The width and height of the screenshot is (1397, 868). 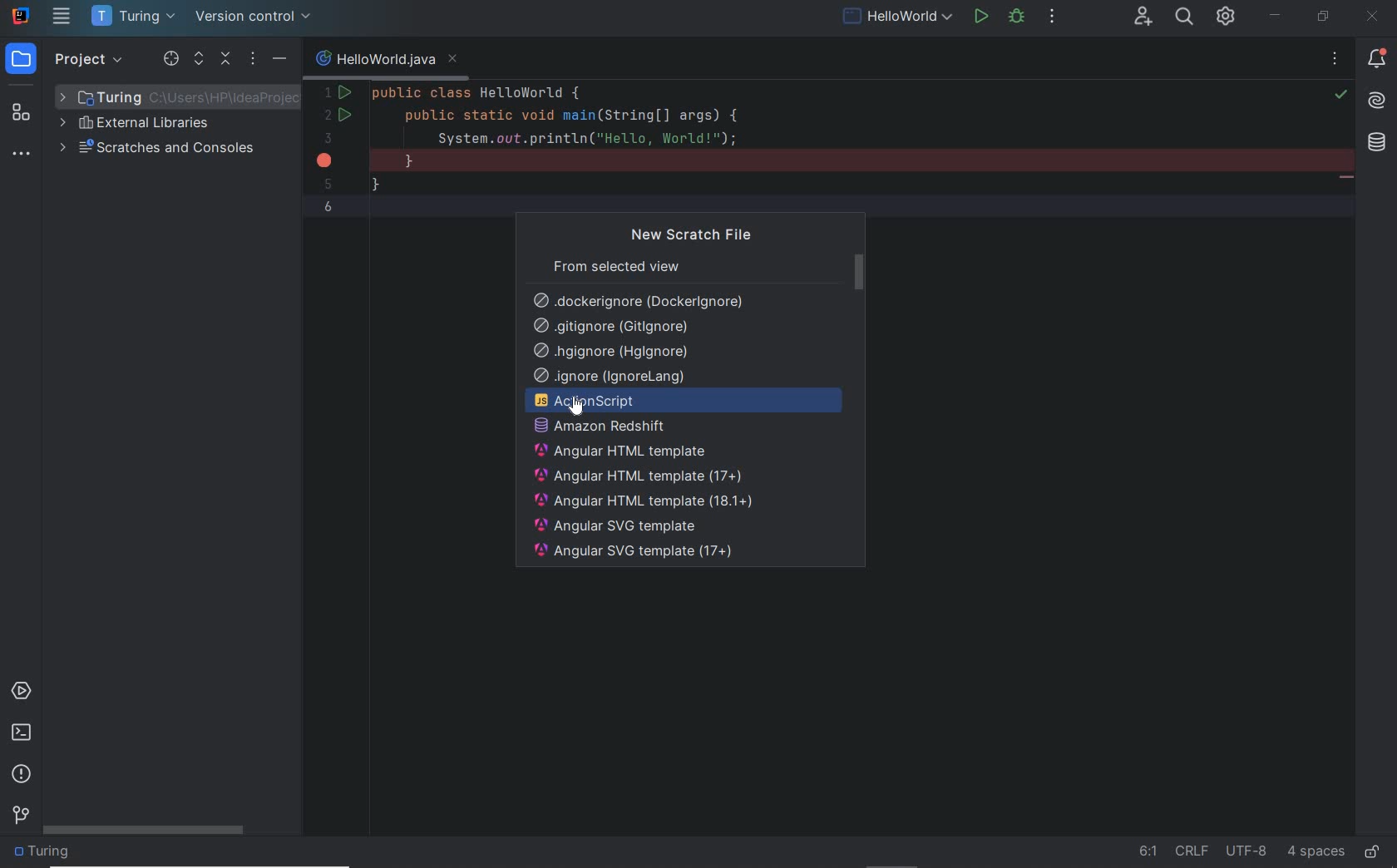 What do you see at coordinates (1371, 852) in the screenshot?
I see `make file ready only` at bounding box center [1371, 852].